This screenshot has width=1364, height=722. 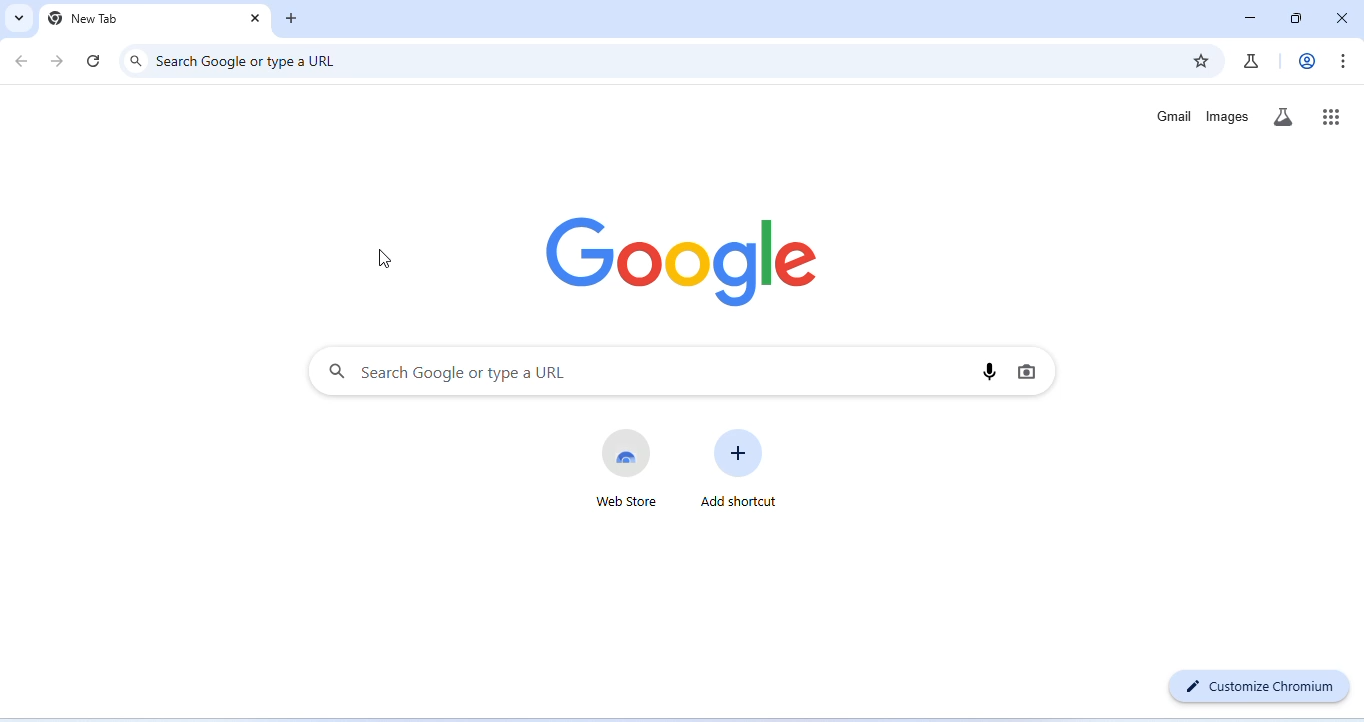 What do you see at coordinates (686, 264) in the screenshot?
I see `google` at bounding box center [686, 264].